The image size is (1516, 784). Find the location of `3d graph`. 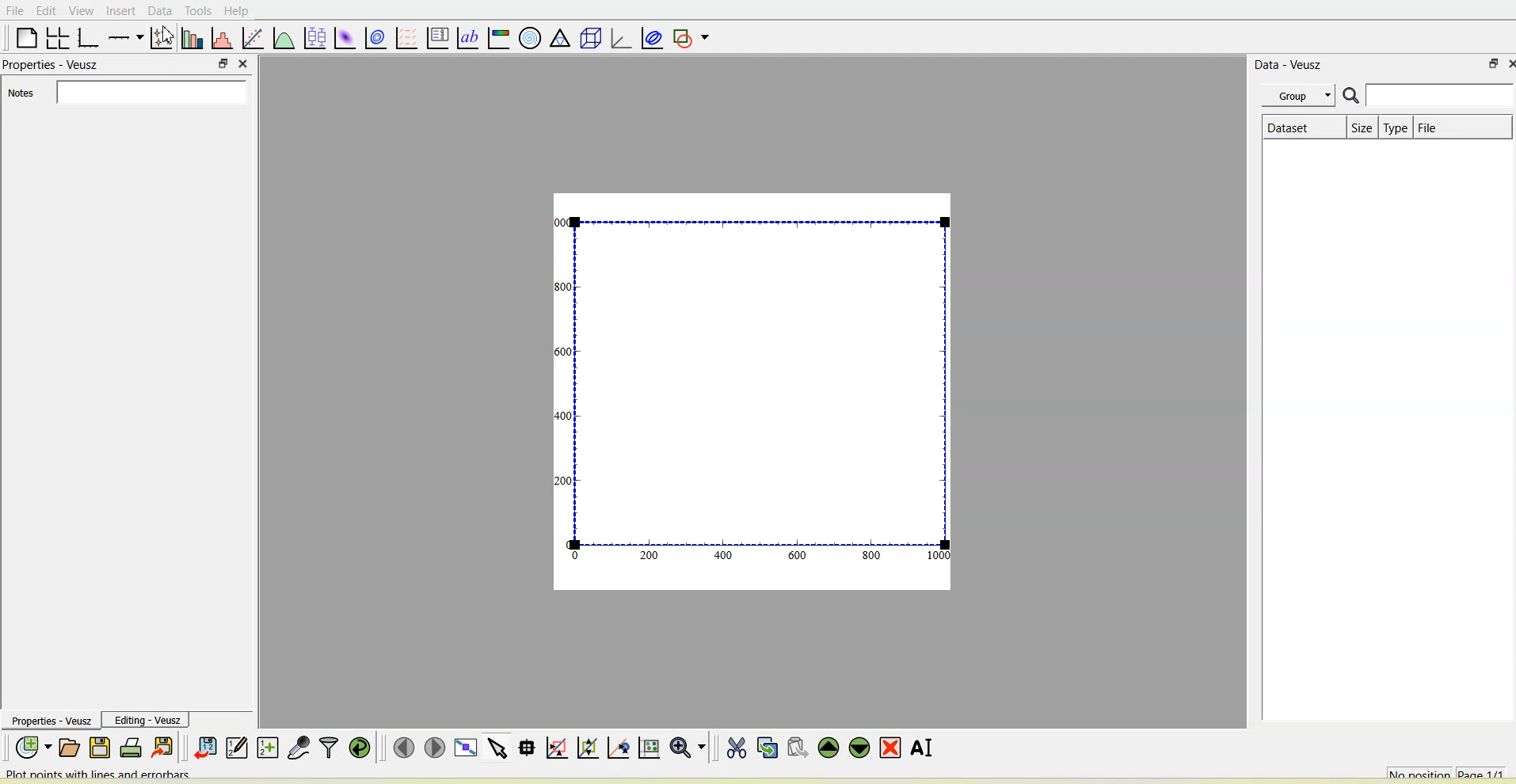

3d graph is located at coordinates (619, 36).